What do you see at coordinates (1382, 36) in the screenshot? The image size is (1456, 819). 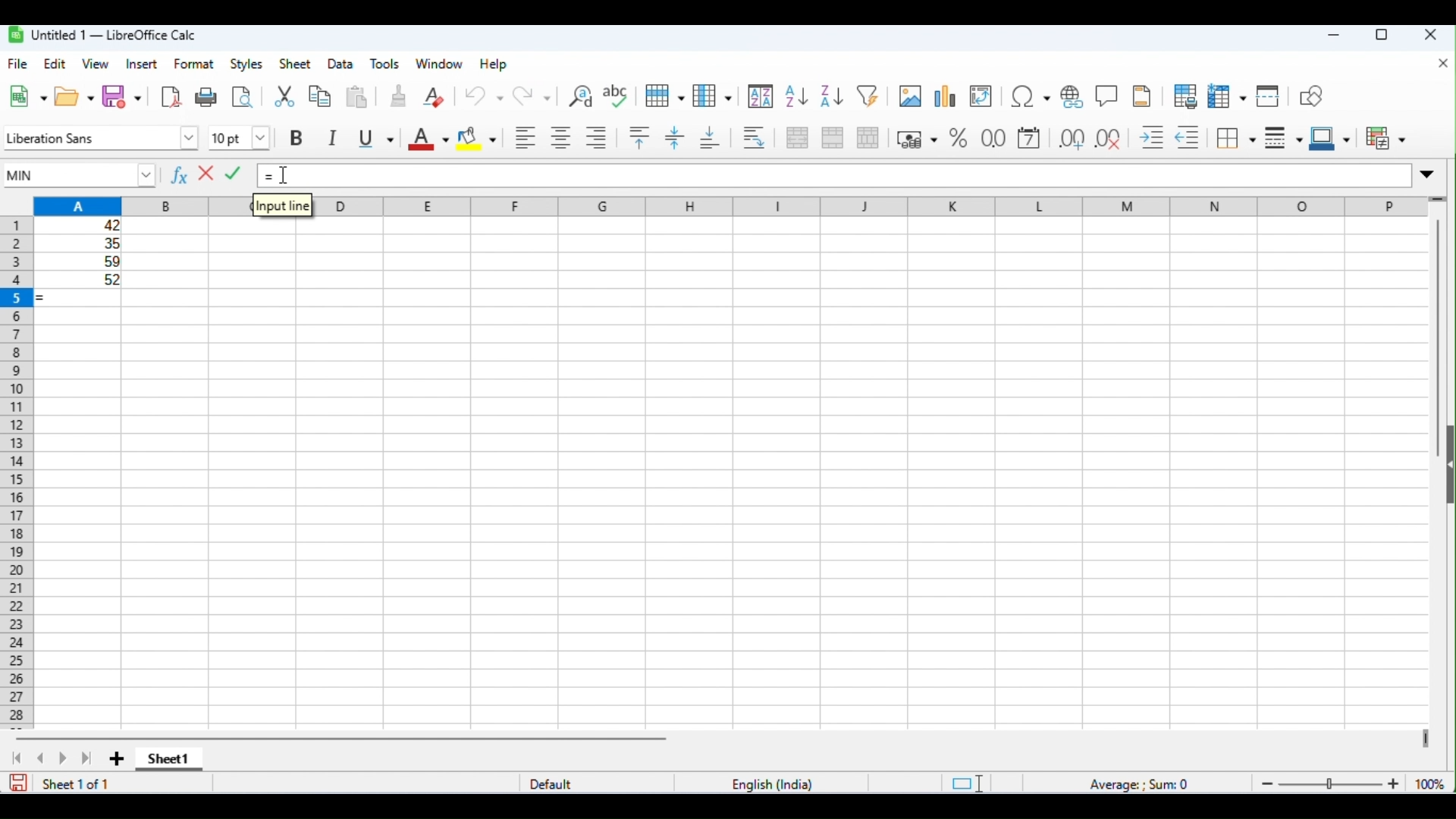 I see `maximize` at bounding box center [1382, 36].